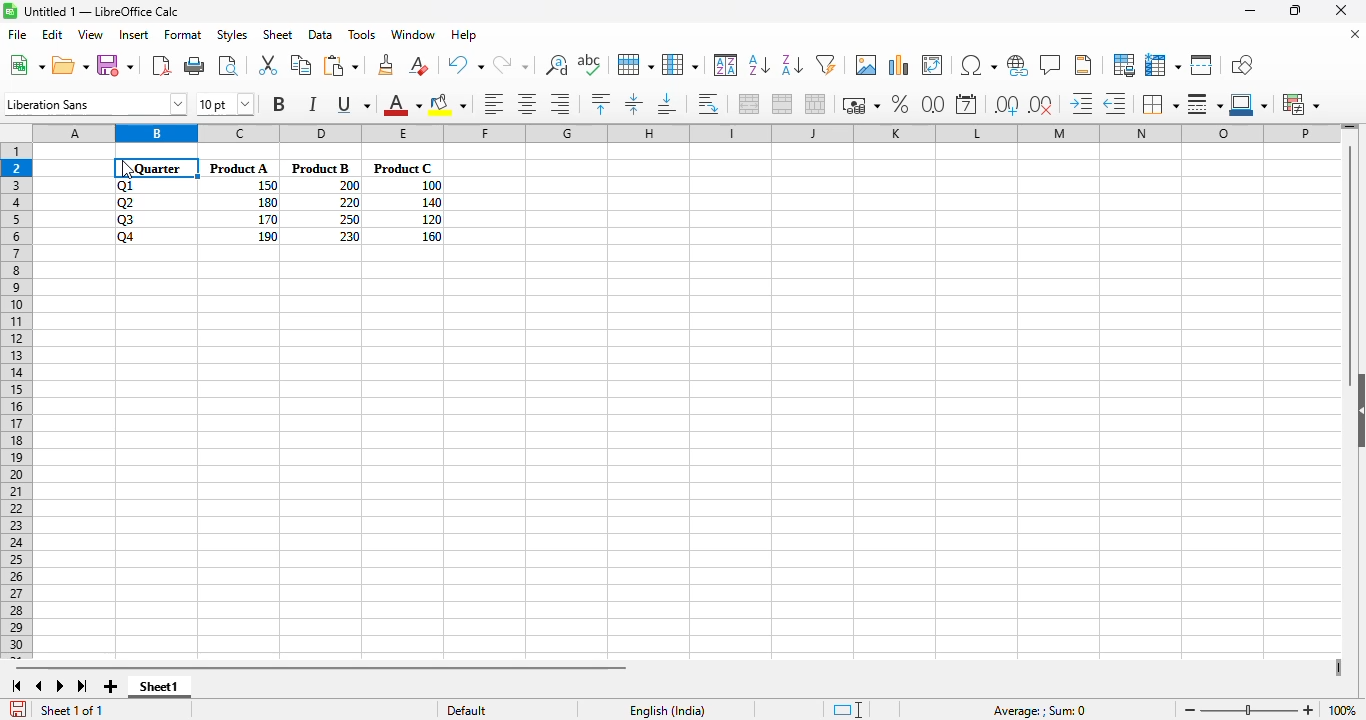 The width and height of the screenshot is (1366, 720). I want to click on align right, so click(560, 103).